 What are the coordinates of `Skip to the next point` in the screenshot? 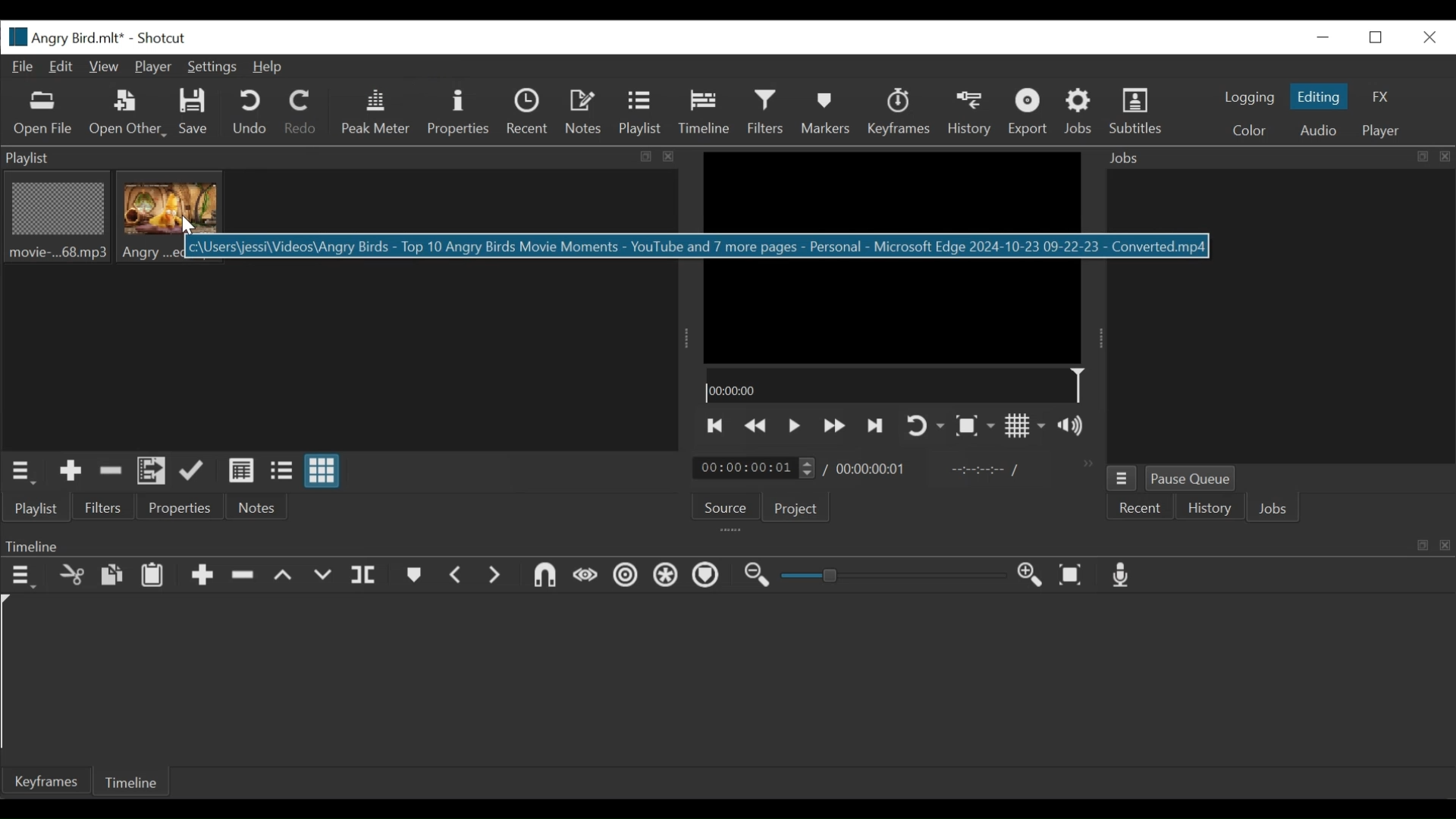 It's located at (875, 426).